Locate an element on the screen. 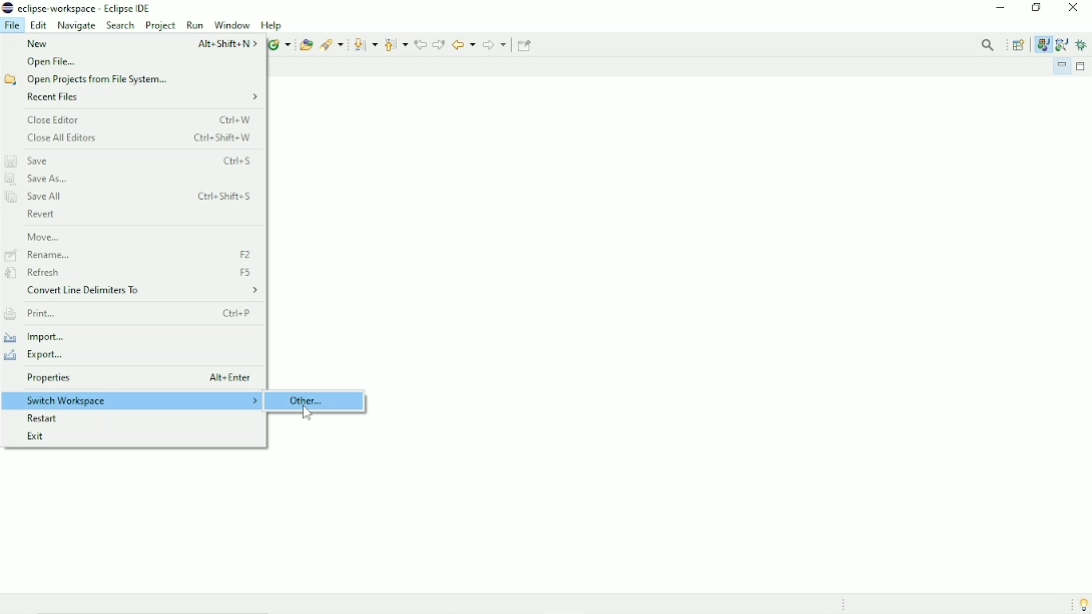 Image resolution: width=1092 pixels, height=614 pixels. Tip is located at coordinates (1079, 604).